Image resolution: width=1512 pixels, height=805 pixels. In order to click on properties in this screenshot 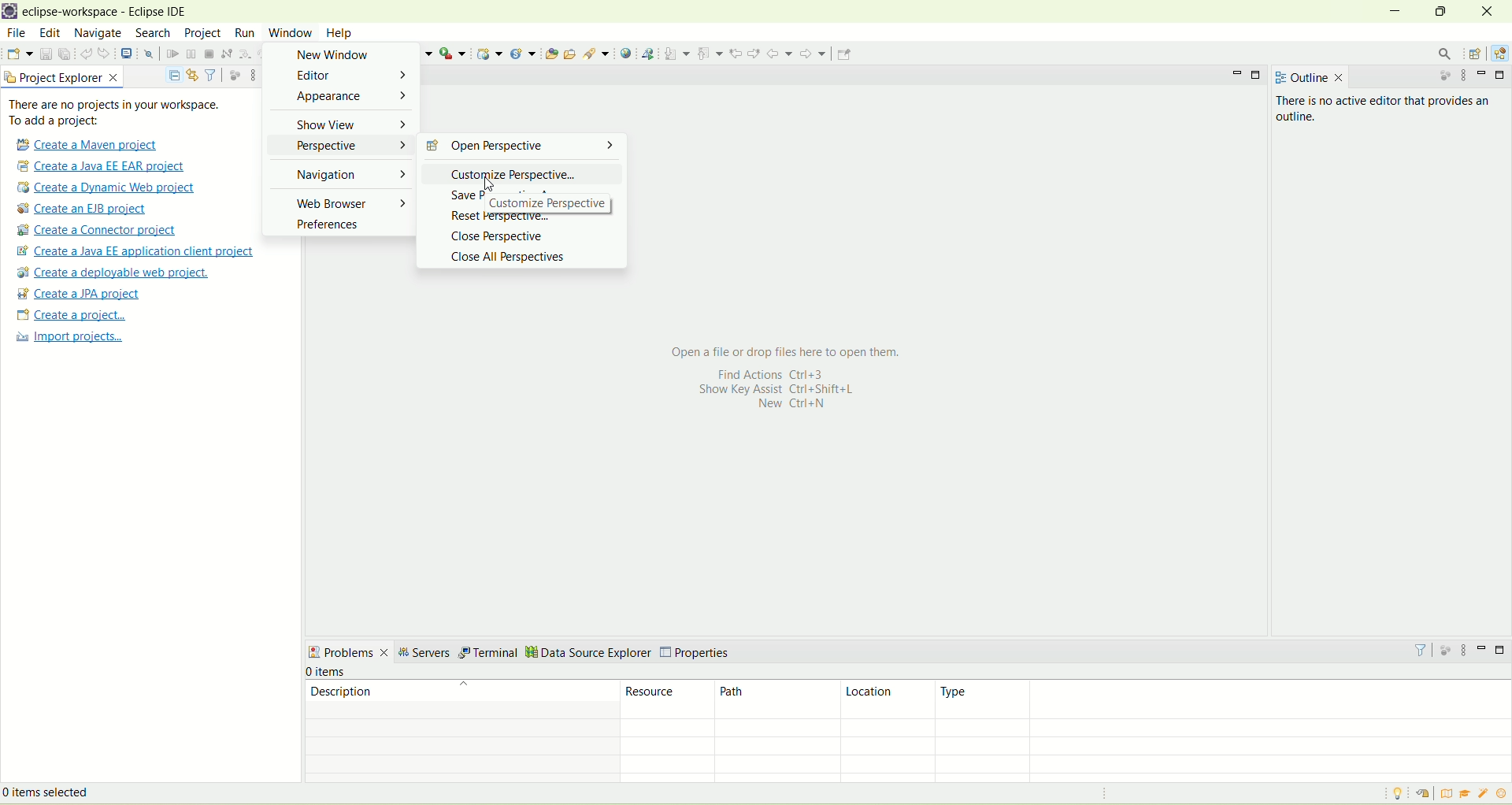, I will do `click(699, 649)`.